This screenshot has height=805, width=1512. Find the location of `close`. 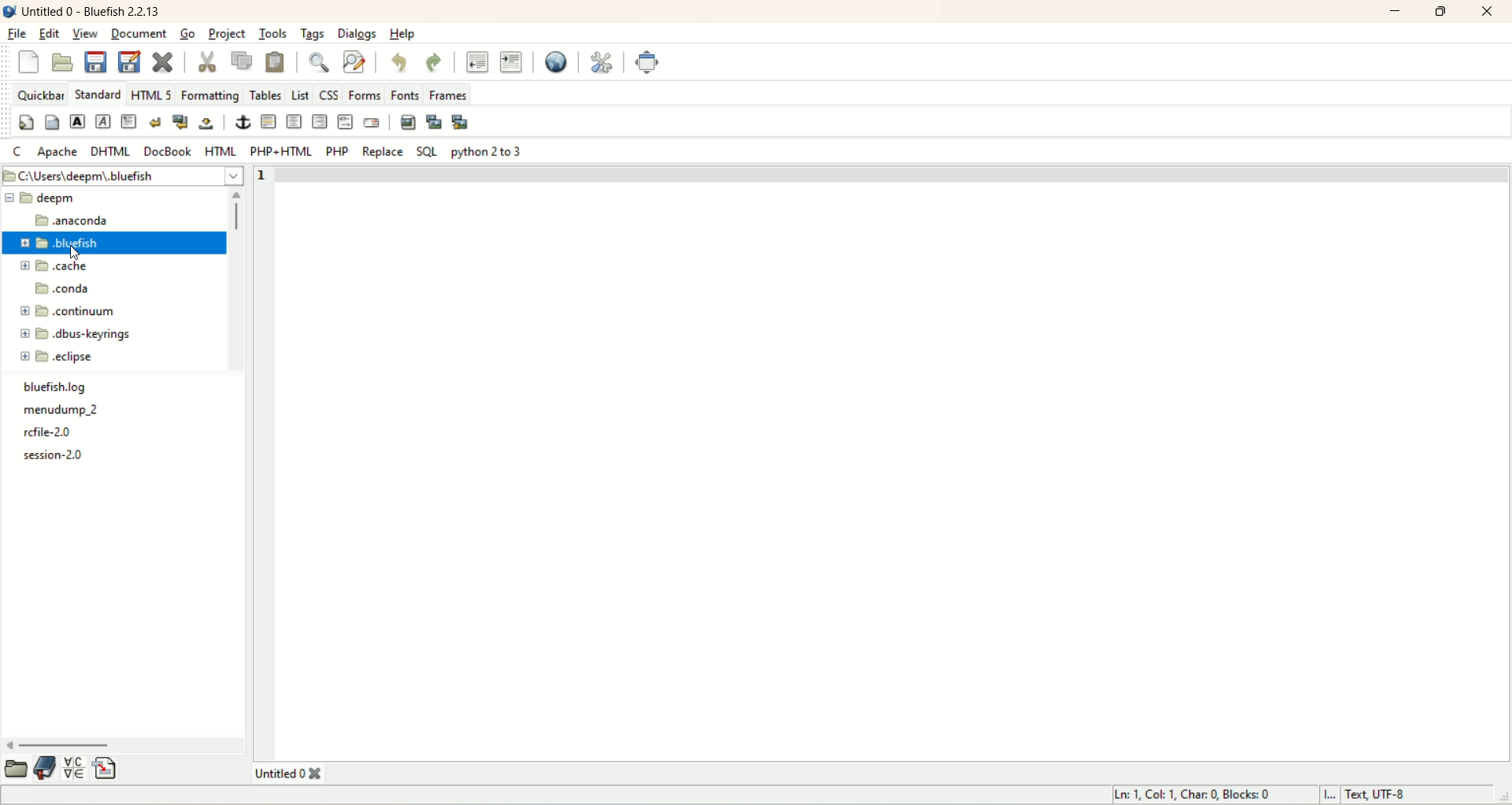

close is located at coordinates (27, 63).